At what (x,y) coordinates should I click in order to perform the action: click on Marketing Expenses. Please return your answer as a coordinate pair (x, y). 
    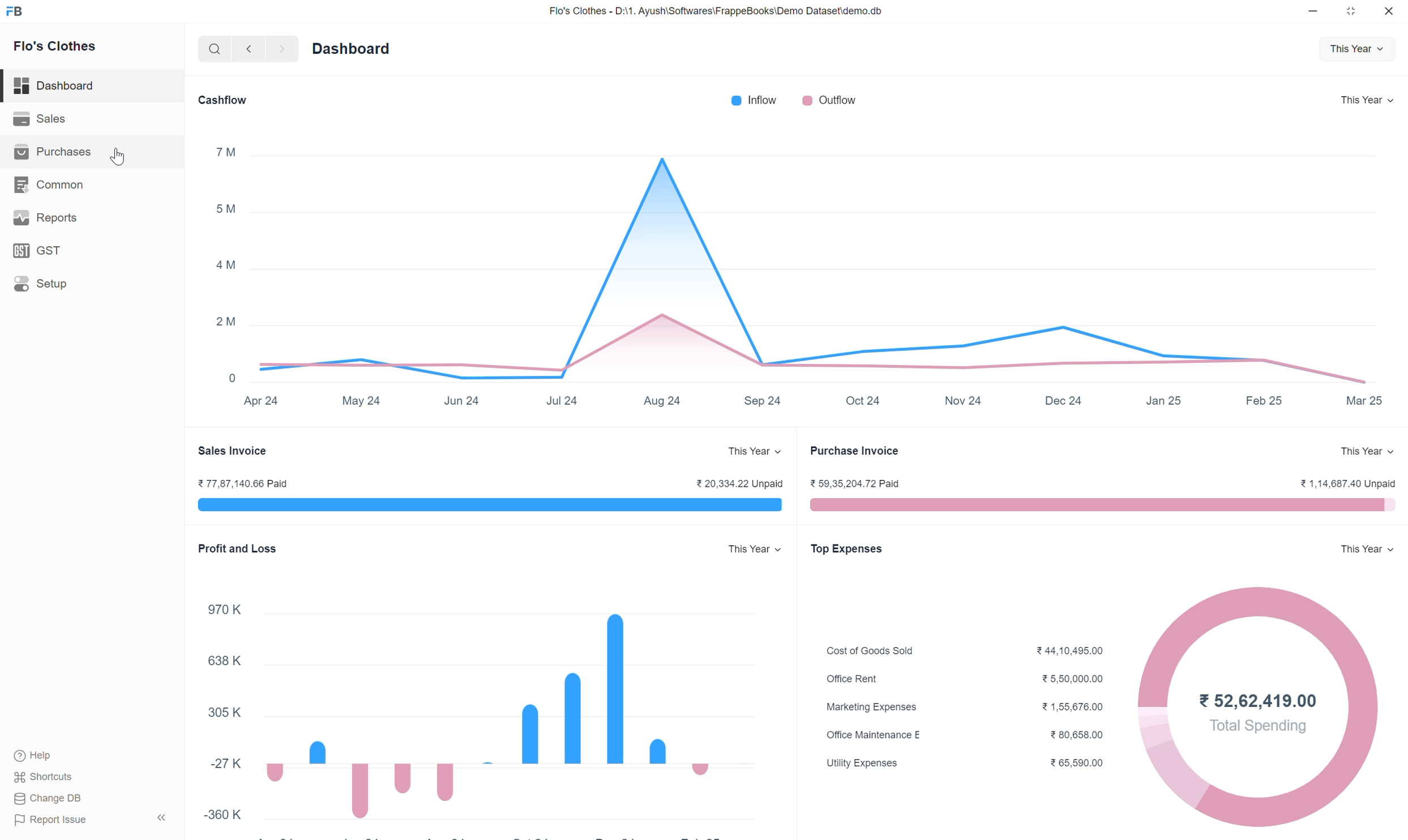
    Looking at the image, I should click on (871, 707).